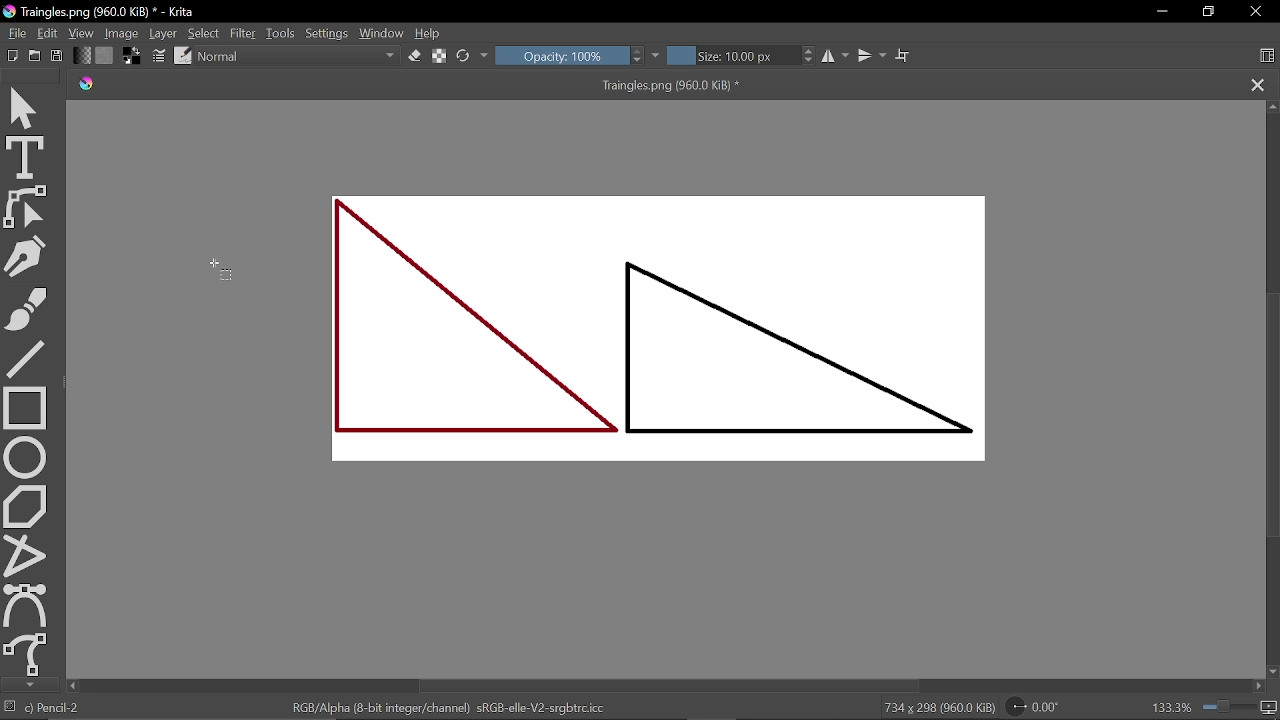 The width and height of the screenshot is (1280, 720). I want to click on Move left, so click(1258, 686).